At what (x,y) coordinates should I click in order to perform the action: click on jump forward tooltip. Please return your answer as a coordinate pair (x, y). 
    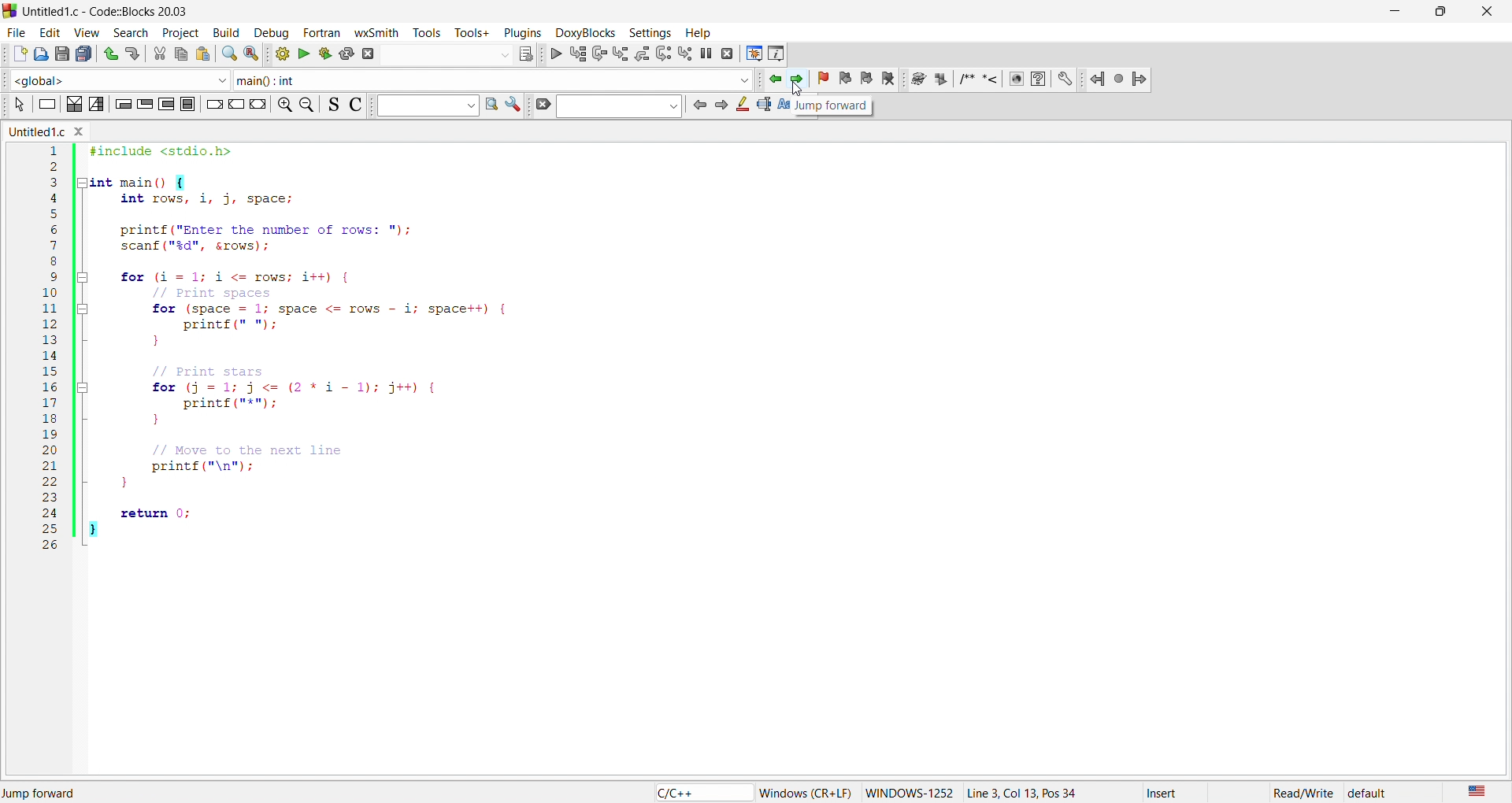
    Looking at the image, I should click on (831, 107).